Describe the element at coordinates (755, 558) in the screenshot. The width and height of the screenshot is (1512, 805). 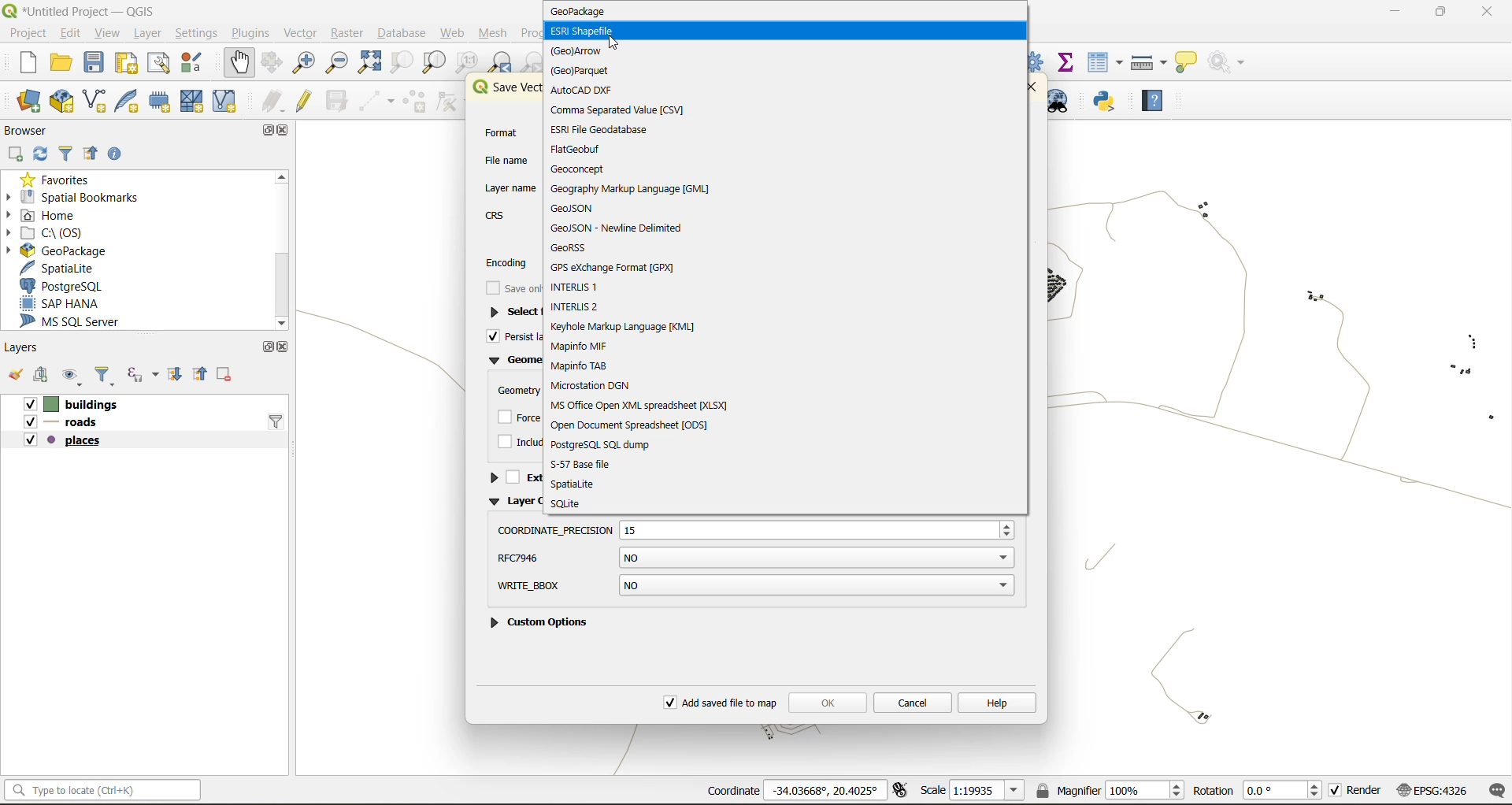
I see `rfc7946` at that location.